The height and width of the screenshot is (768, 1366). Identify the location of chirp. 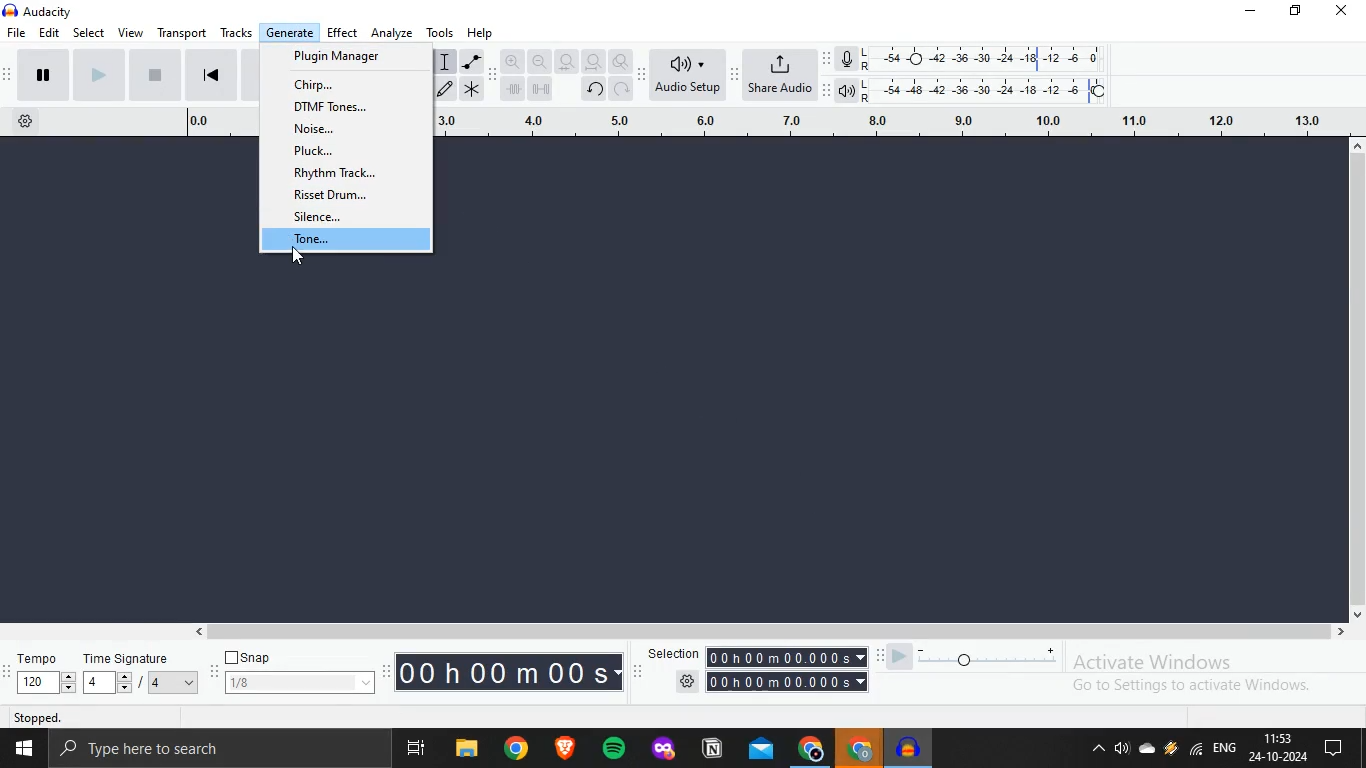
(344, 82).